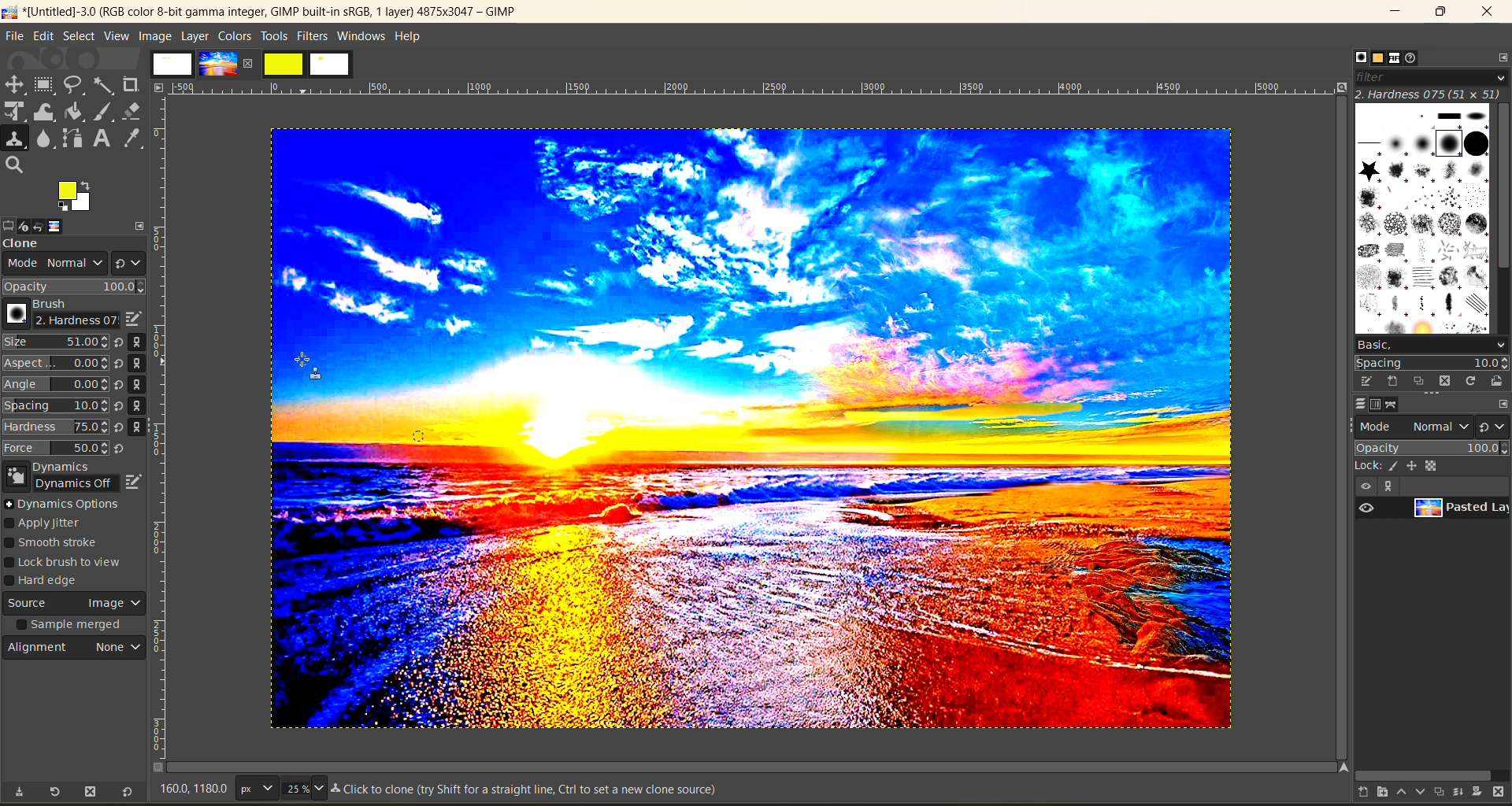 Image resolution: width=1512 pixels, height=806 pixels. What do you see at coordinates (72, 138) in the screenshot?
I see `path tool` at bounding box center [72, 138].